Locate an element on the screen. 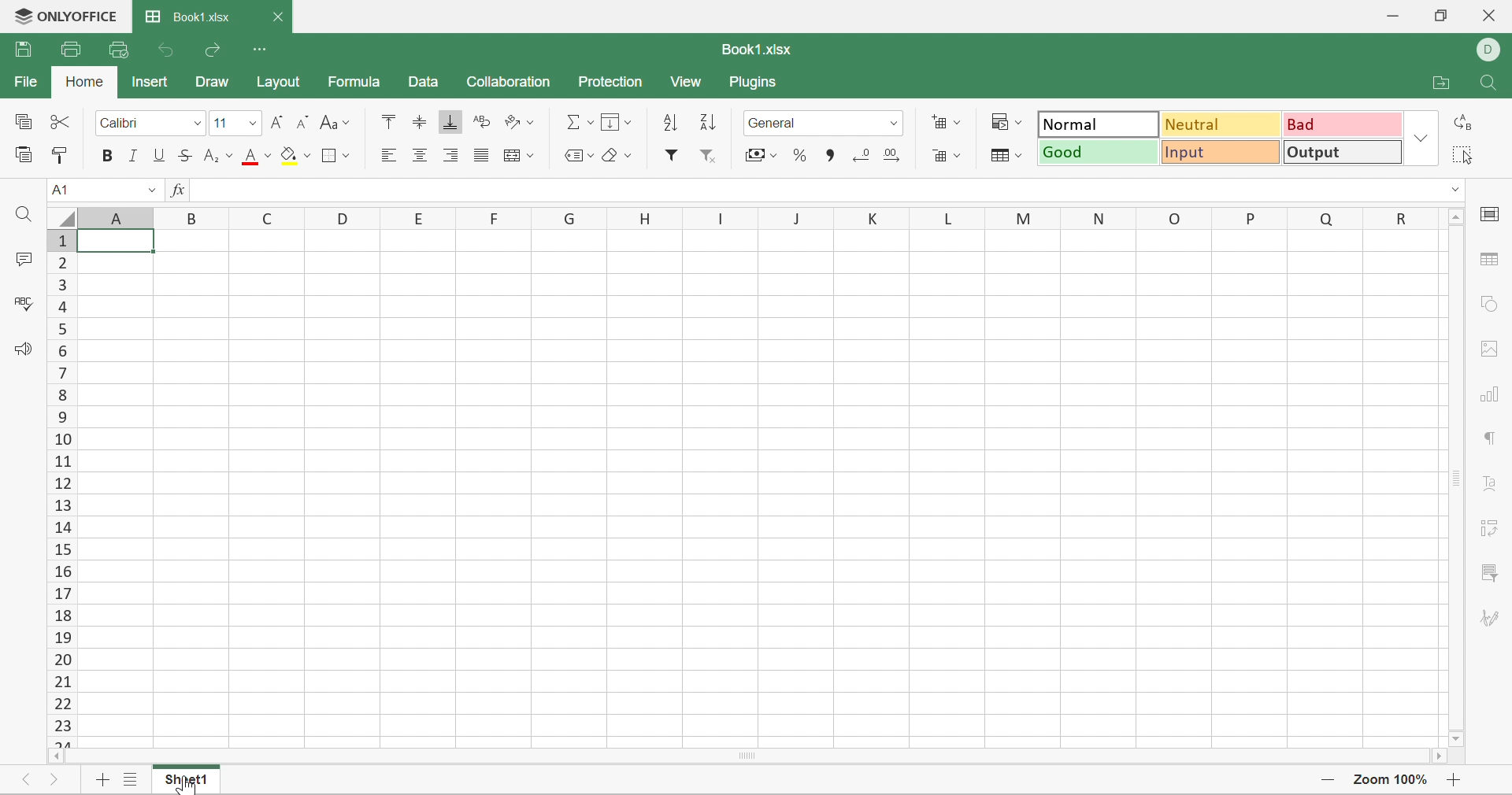 Image resolution: width=1512 pixels, height=795 pixels. Cell settings is located at coordinates (1491, 216).